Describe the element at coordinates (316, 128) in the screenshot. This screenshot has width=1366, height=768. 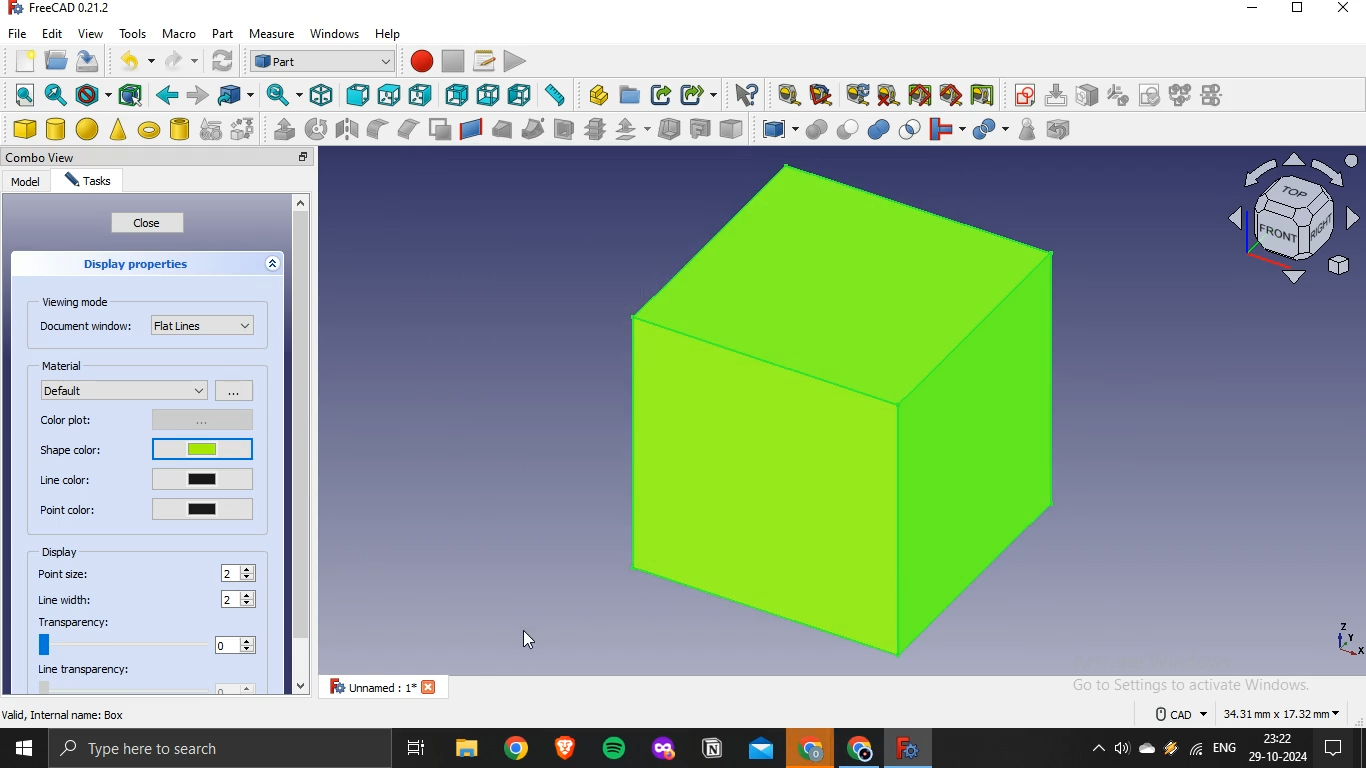
I see `revolve` at that location.